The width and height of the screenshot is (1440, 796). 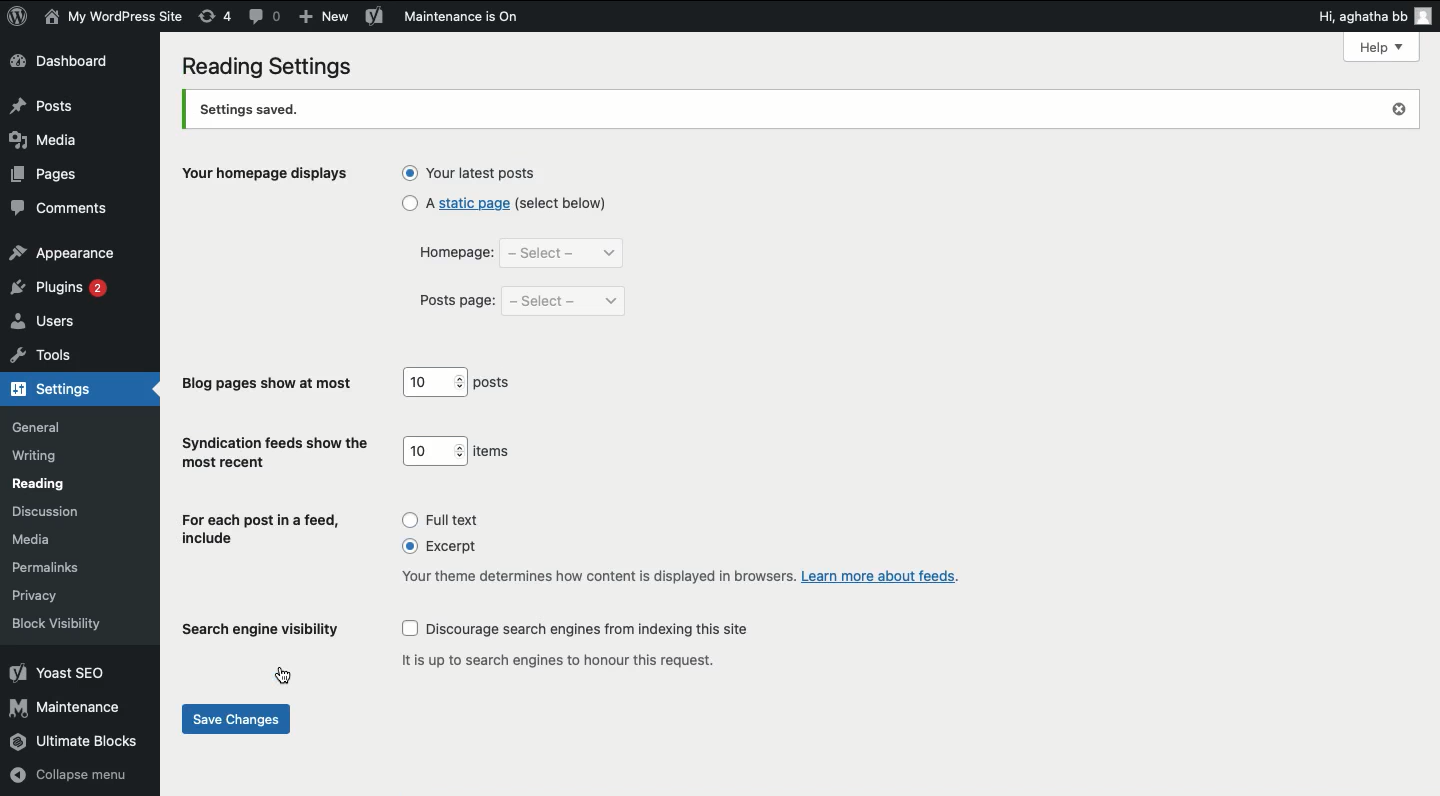 I want to click on plugins 2, so click(x=58, y=286).